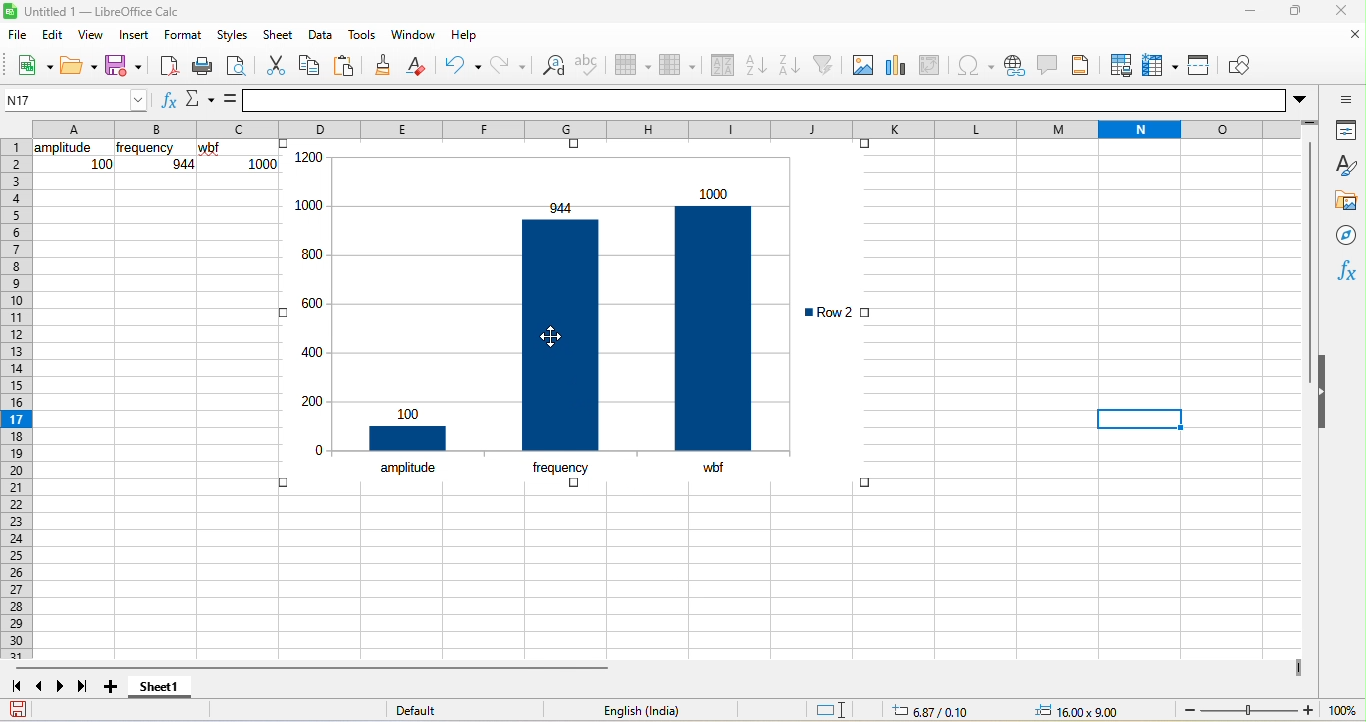 The height and width of the screenshot is (722, 1366). I want to click on row, so click(633, 65).